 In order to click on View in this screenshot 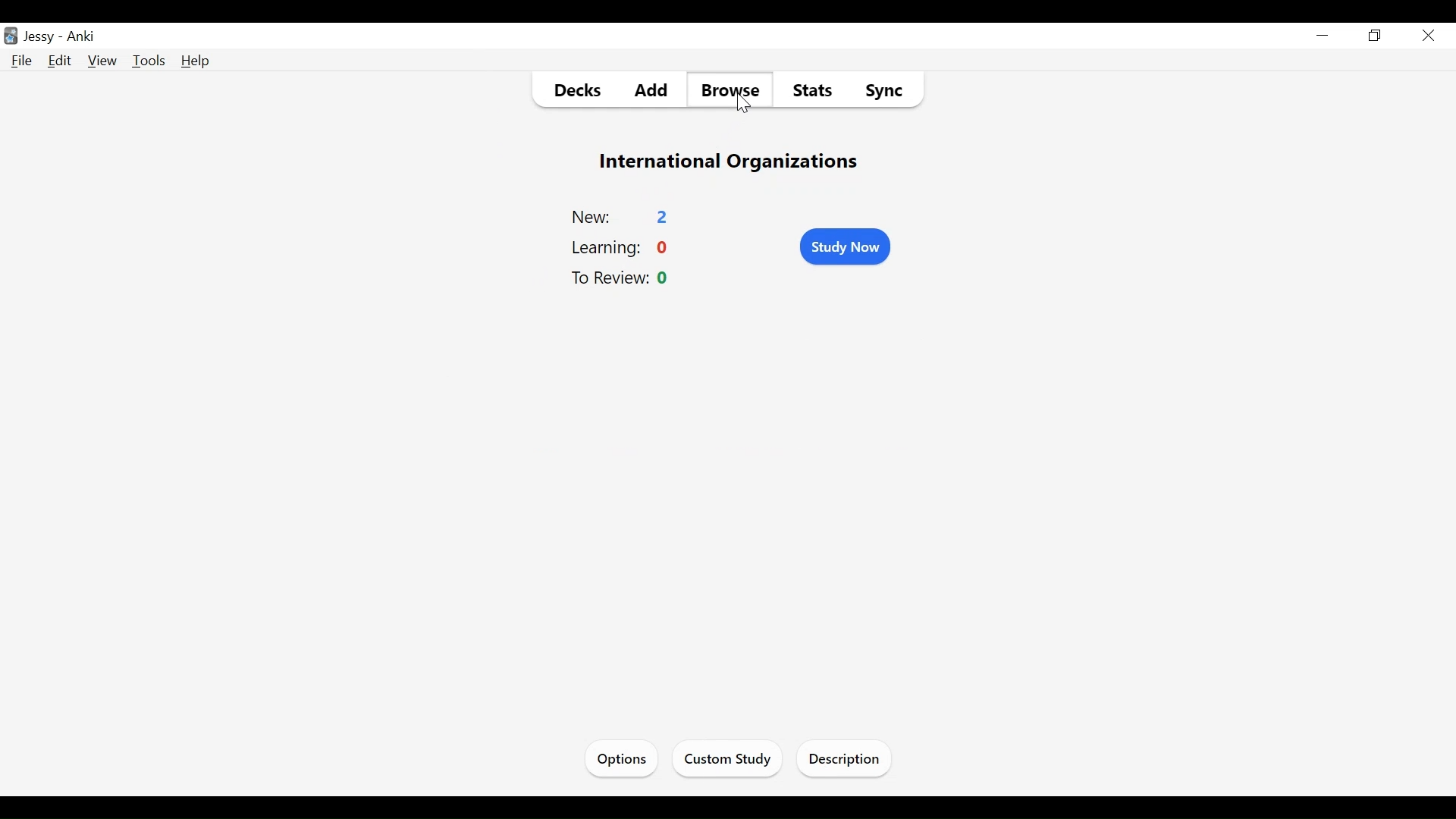, I will do `click(103, 61)`.